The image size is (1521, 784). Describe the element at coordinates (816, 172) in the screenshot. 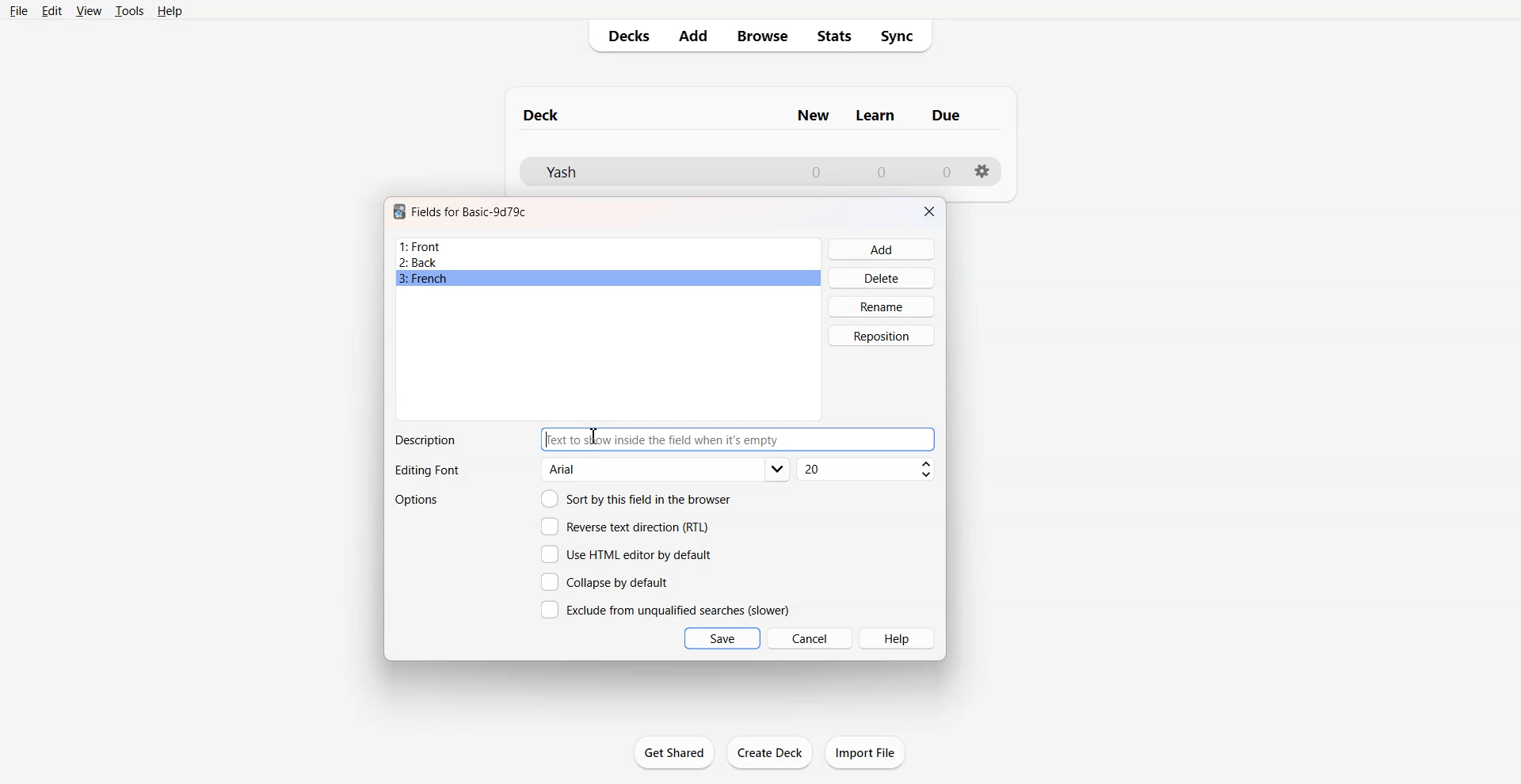

I see `Number of New cards` at that location.